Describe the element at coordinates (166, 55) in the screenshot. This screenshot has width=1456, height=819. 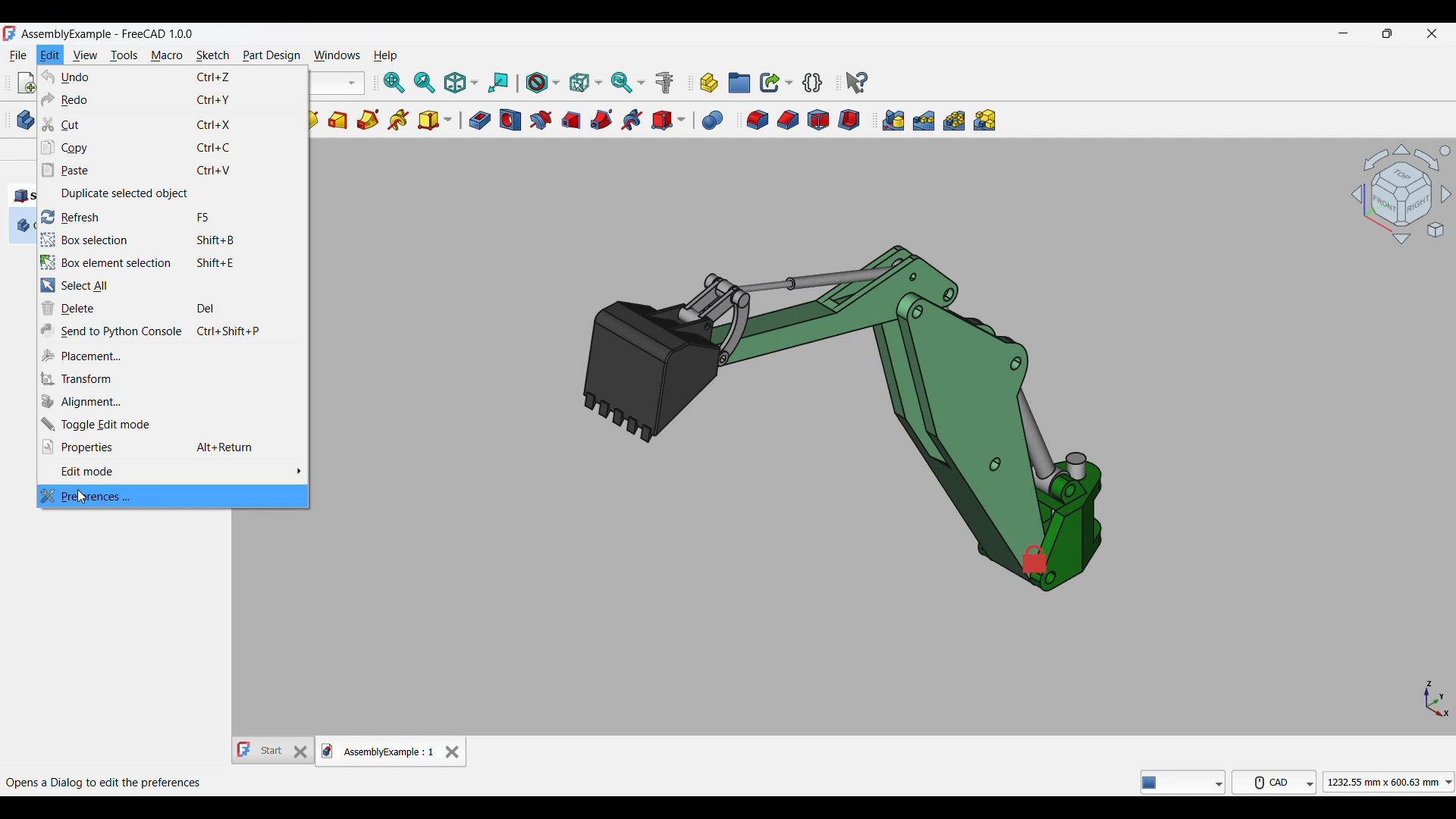
I see `Macro menu ` at that location.